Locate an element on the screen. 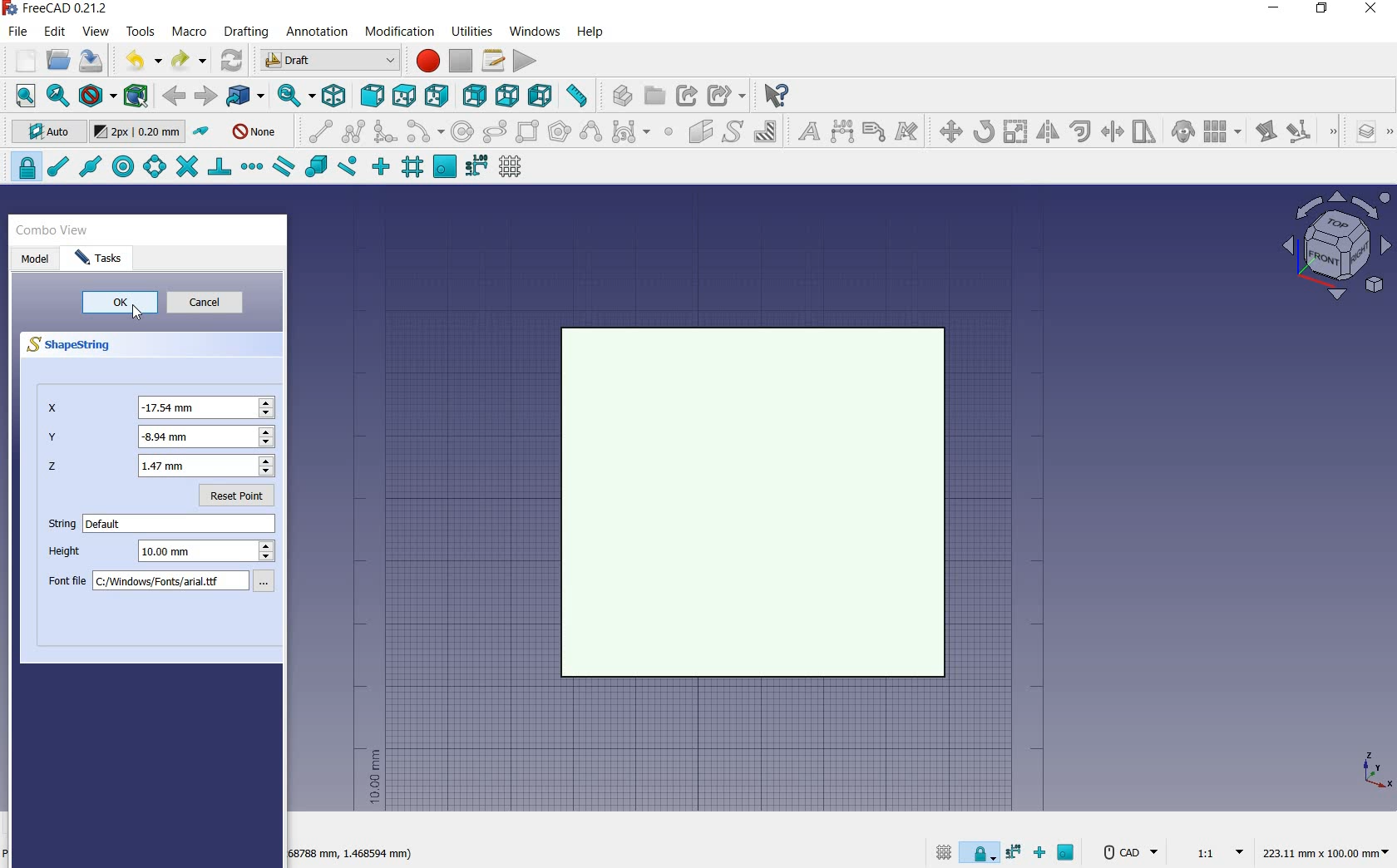  isometric is located at coordinates (335, 98).